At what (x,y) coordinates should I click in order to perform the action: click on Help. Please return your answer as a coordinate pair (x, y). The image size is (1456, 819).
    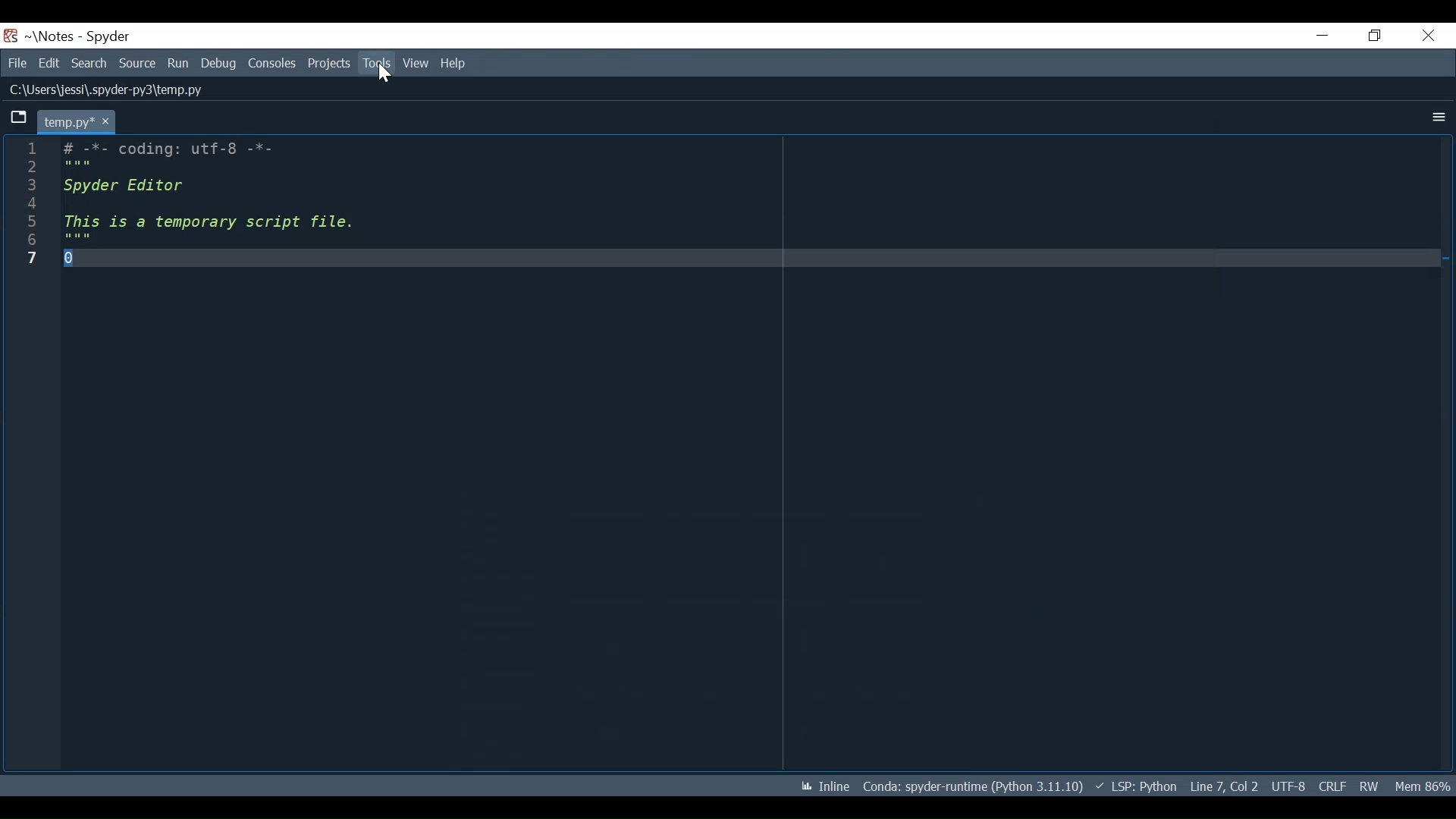
    Looking at the image, I should click on (460, 62).